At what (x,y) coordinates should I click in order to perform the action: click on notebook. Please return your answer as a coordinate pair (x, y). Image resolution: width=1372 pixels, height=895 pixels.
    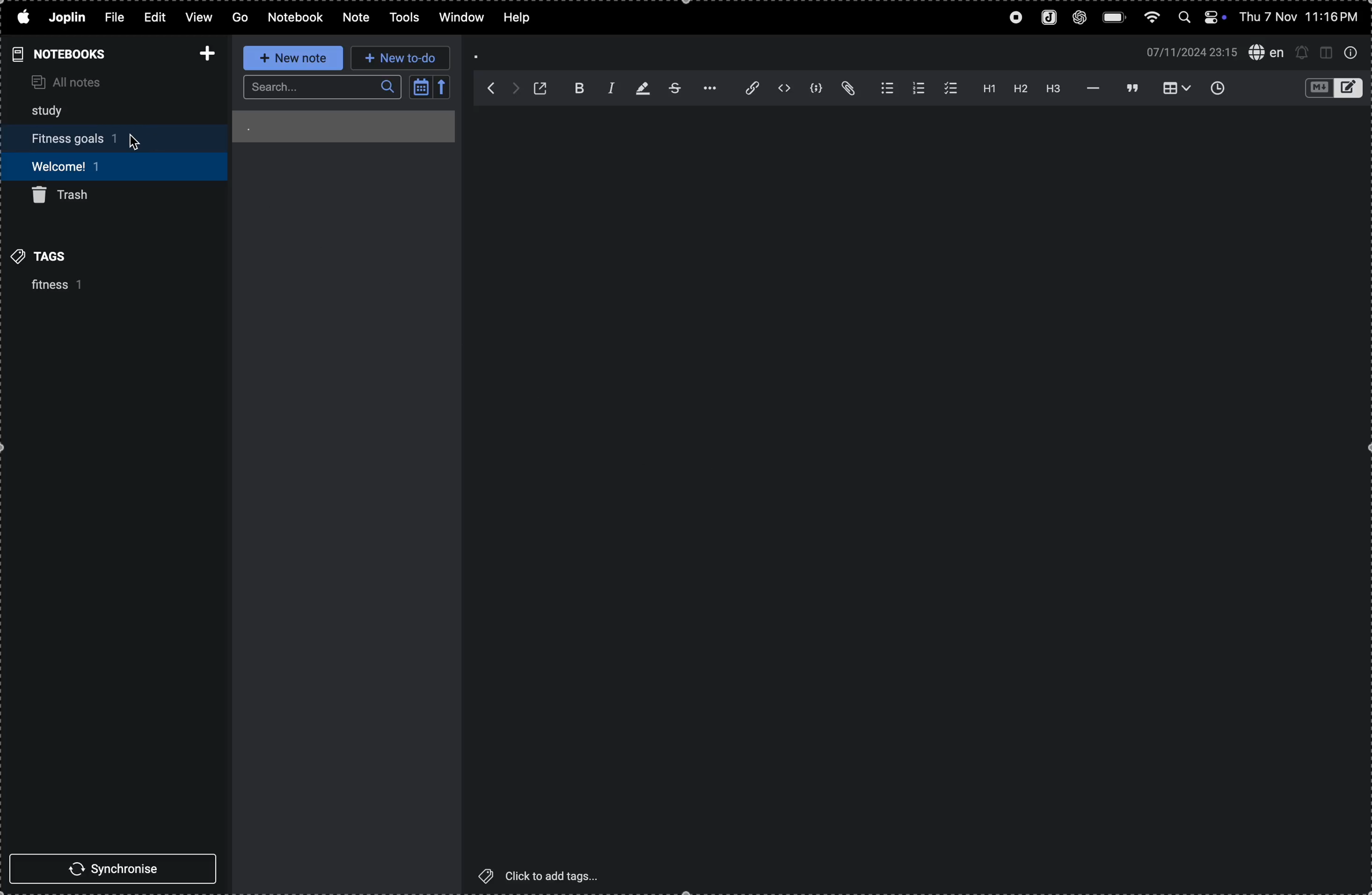
    Looking at the image, I should click on (296, 17).